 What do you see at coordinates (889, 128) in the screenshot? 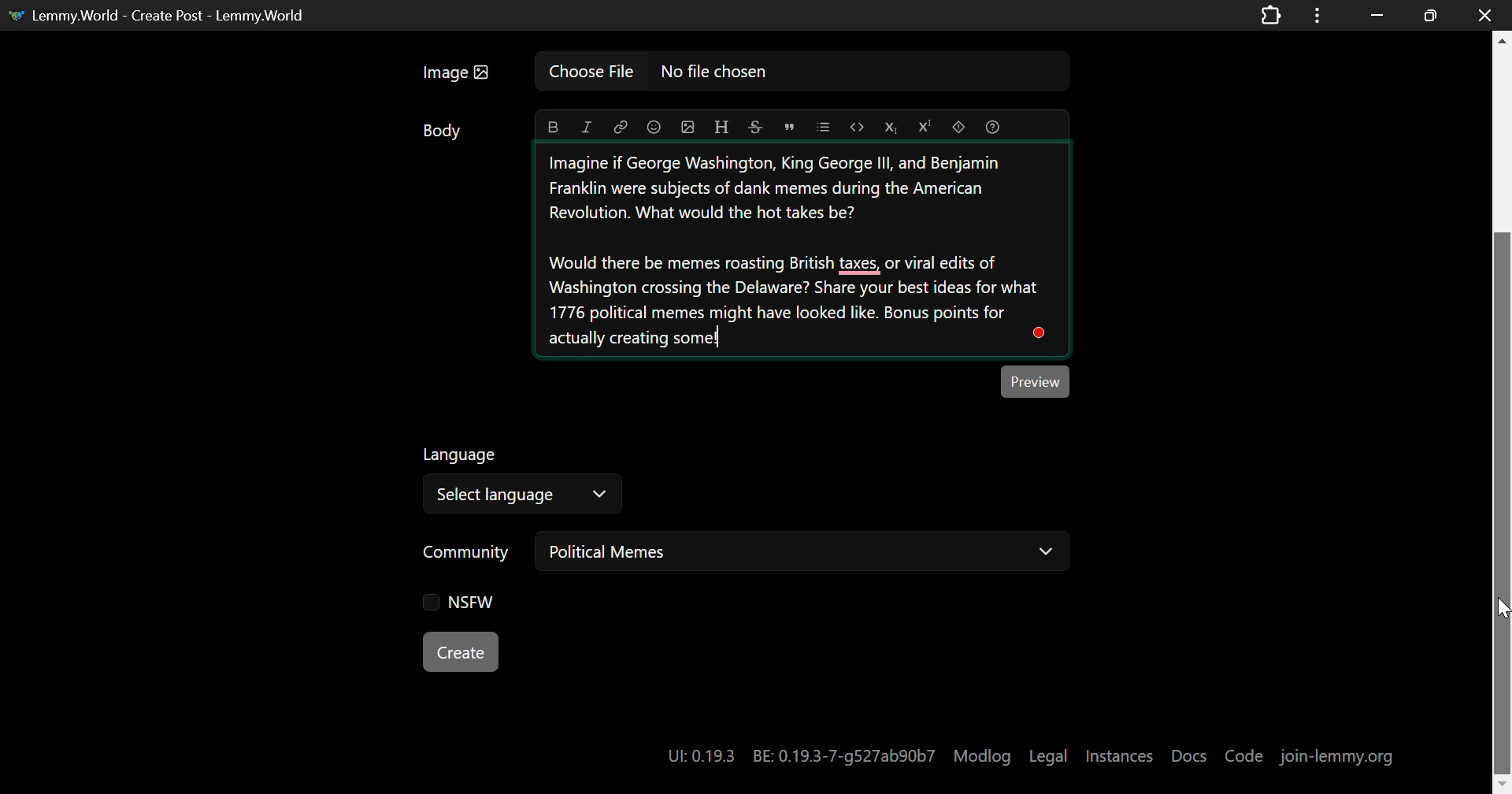
I see `Subscript` at bounding box center [889, 128].